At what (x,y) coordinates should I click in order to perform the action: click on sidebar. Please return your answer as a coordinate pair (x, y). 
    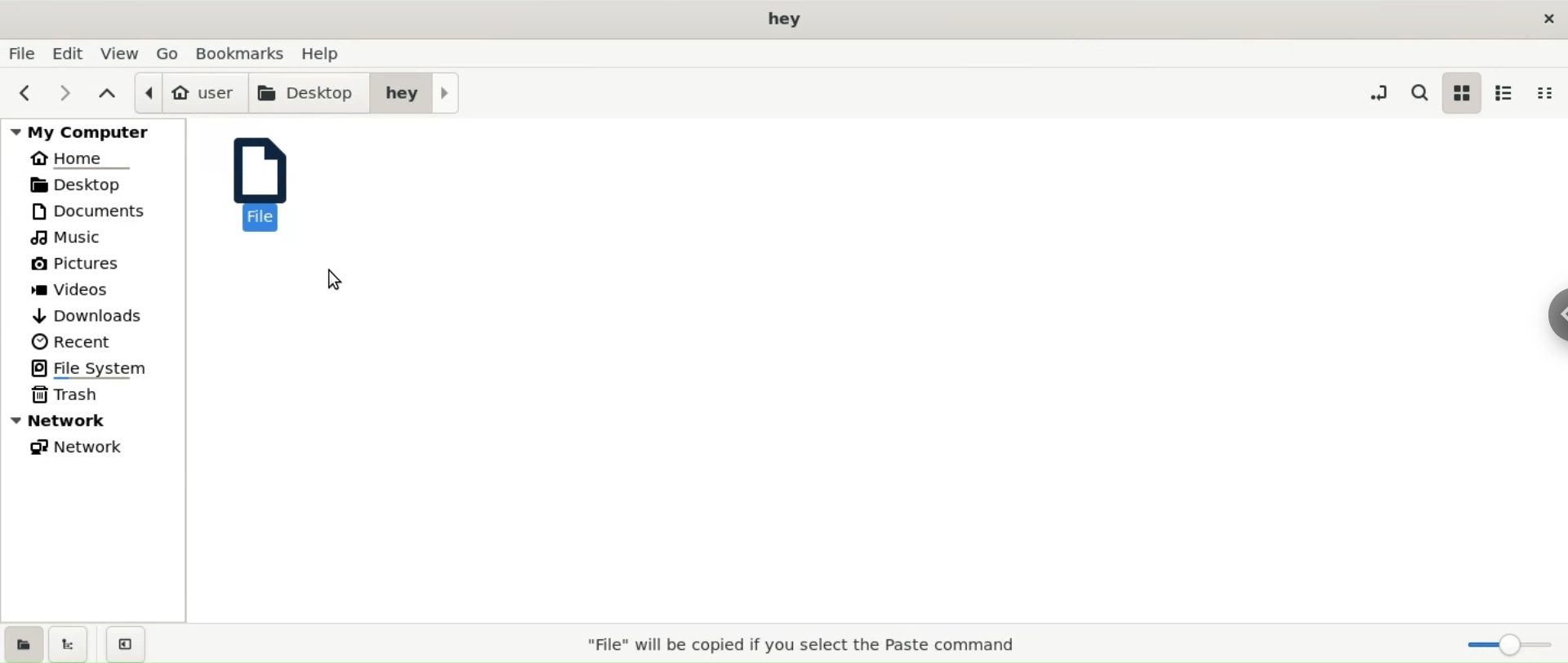
    Looking at the image, I should click on (1540, 311).